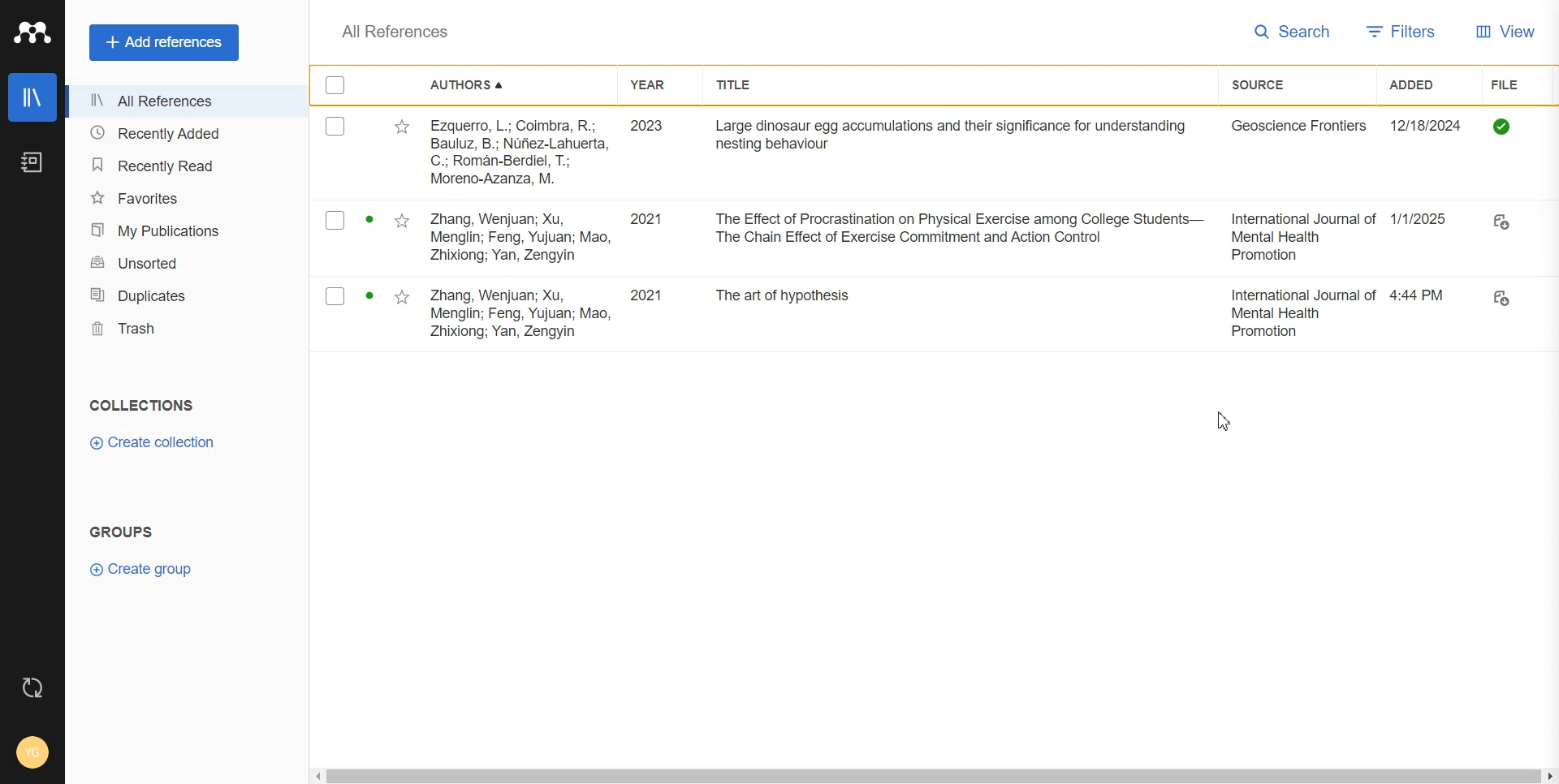  What do you see at coordinates (1505, 222) in the screenshot?
I see `File` at bounding box center [1505, 222].